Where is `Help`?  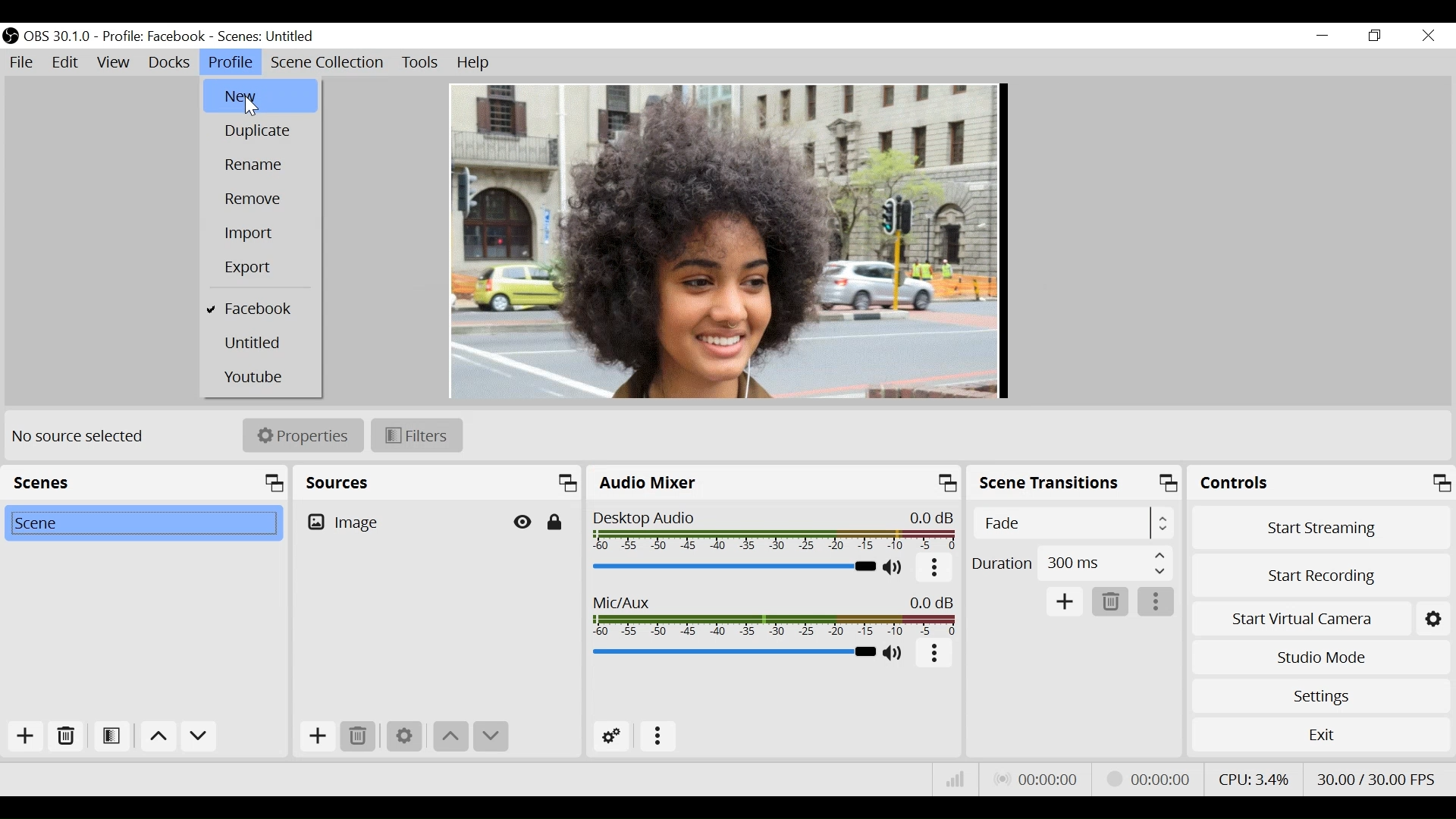 Help is located at coordinates (471, 63).